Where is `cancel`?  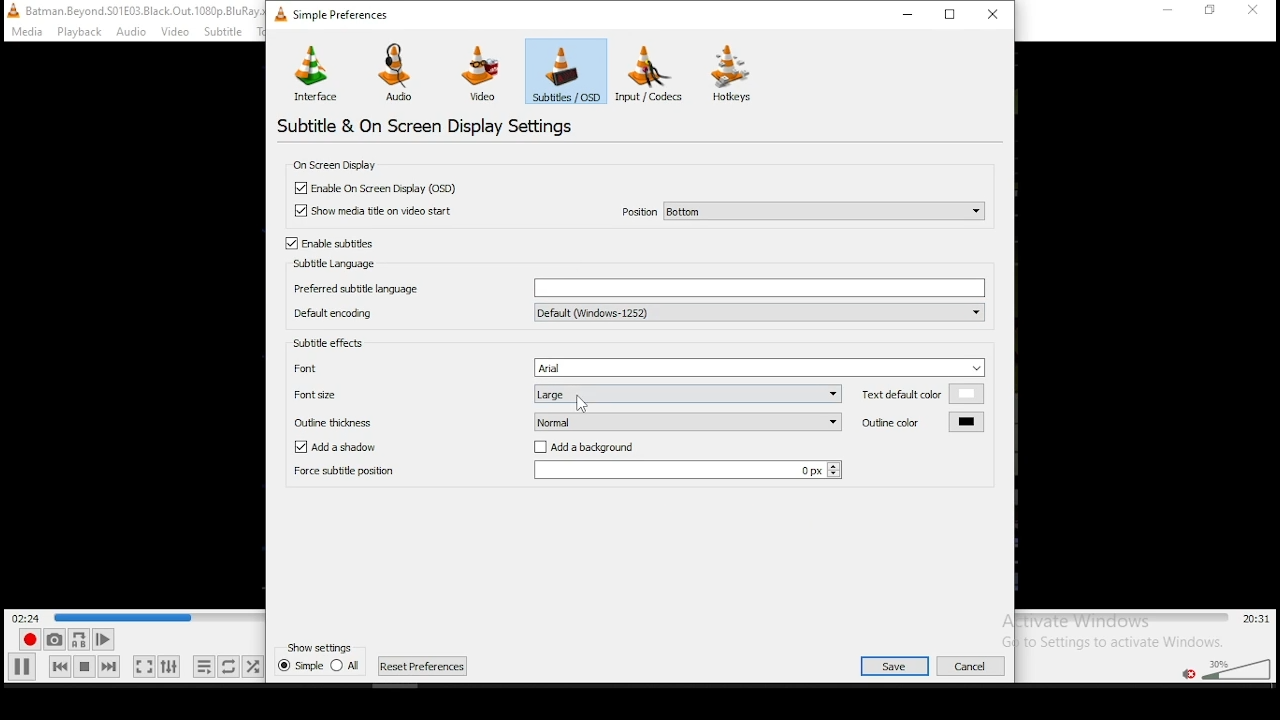 cancel is located at coordinates (972, 666).